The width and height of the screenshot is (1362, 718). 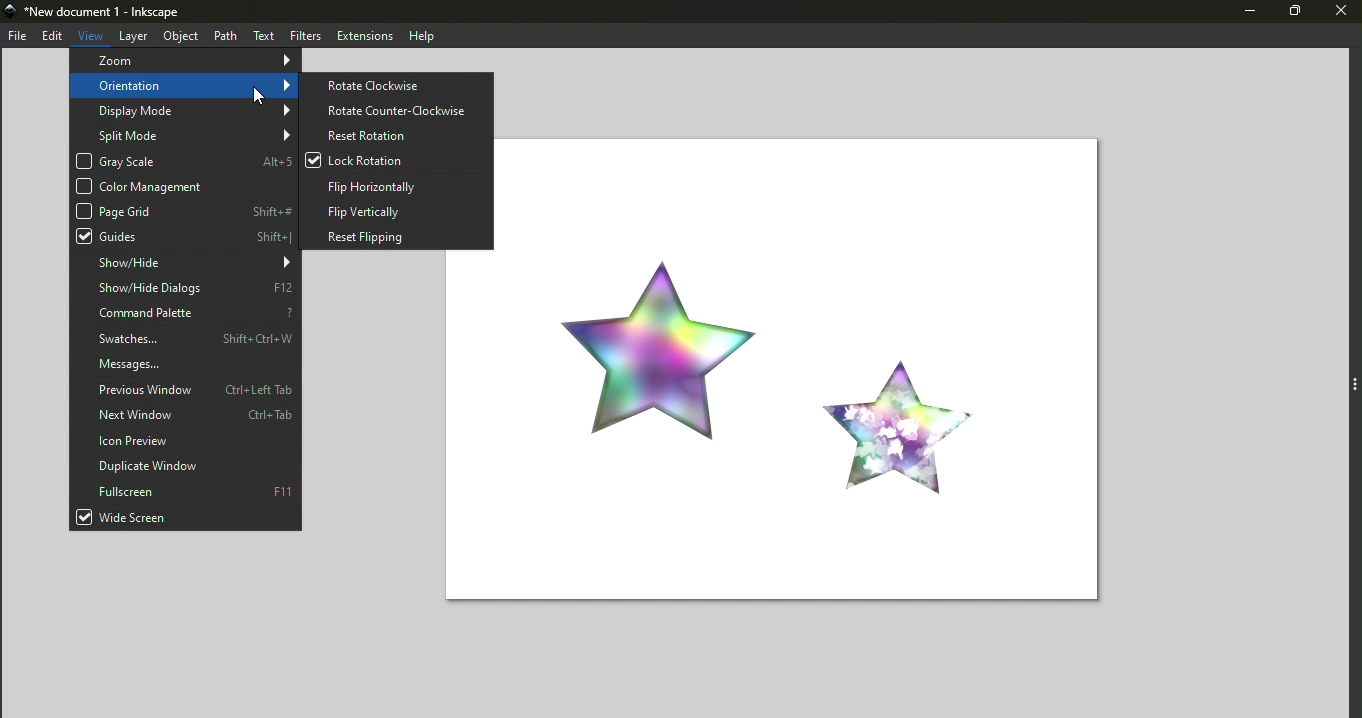 What do you see at coordinates (1241, 13) in the screenshot?
I see `Minimize` at bounding box center [1241, 13].